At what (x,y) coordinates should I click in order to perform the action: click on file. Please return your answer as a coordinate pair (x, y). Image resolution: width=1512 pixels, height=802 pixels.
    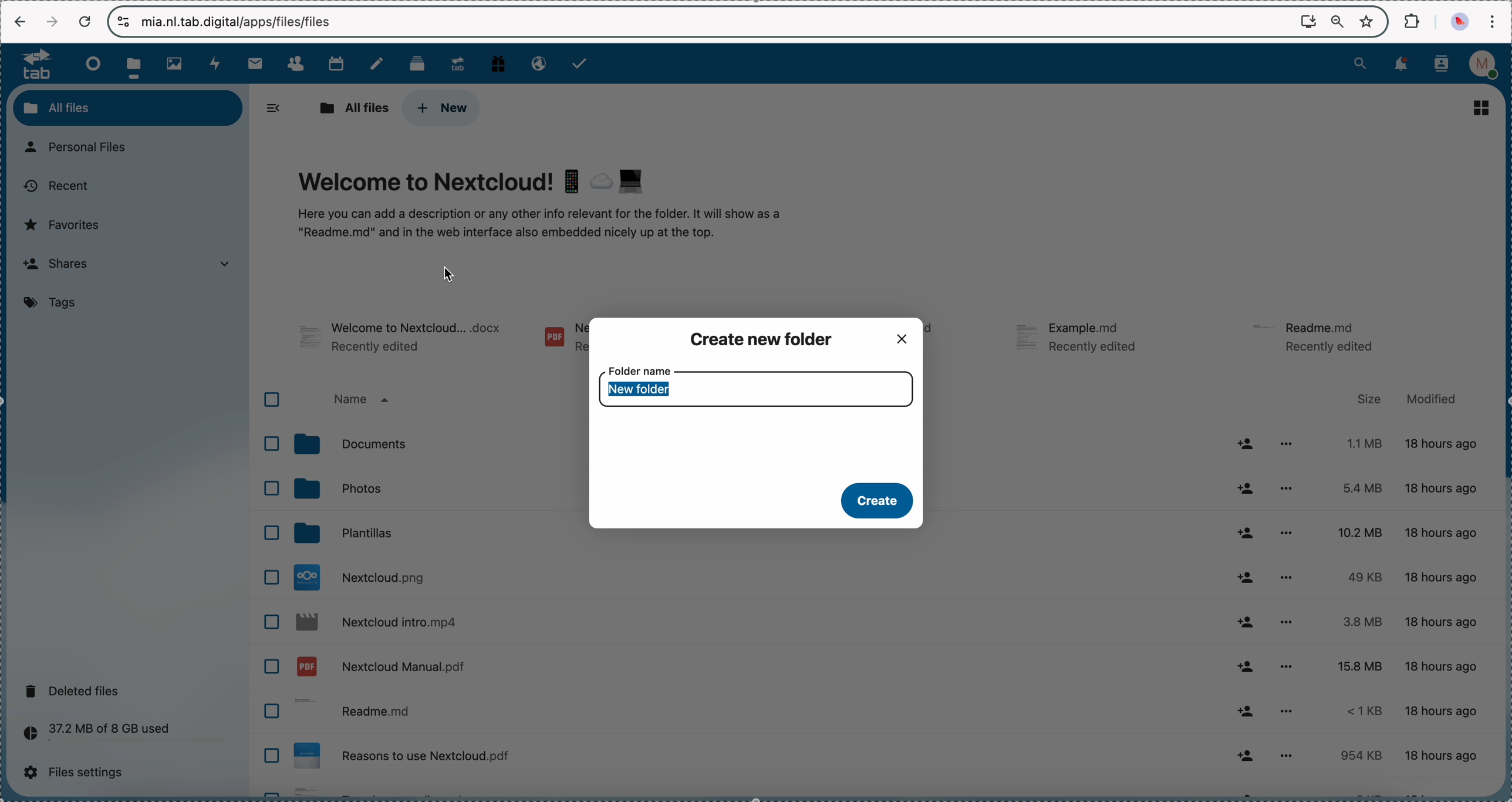
    Looking at the image, I should click on (1318, 336).